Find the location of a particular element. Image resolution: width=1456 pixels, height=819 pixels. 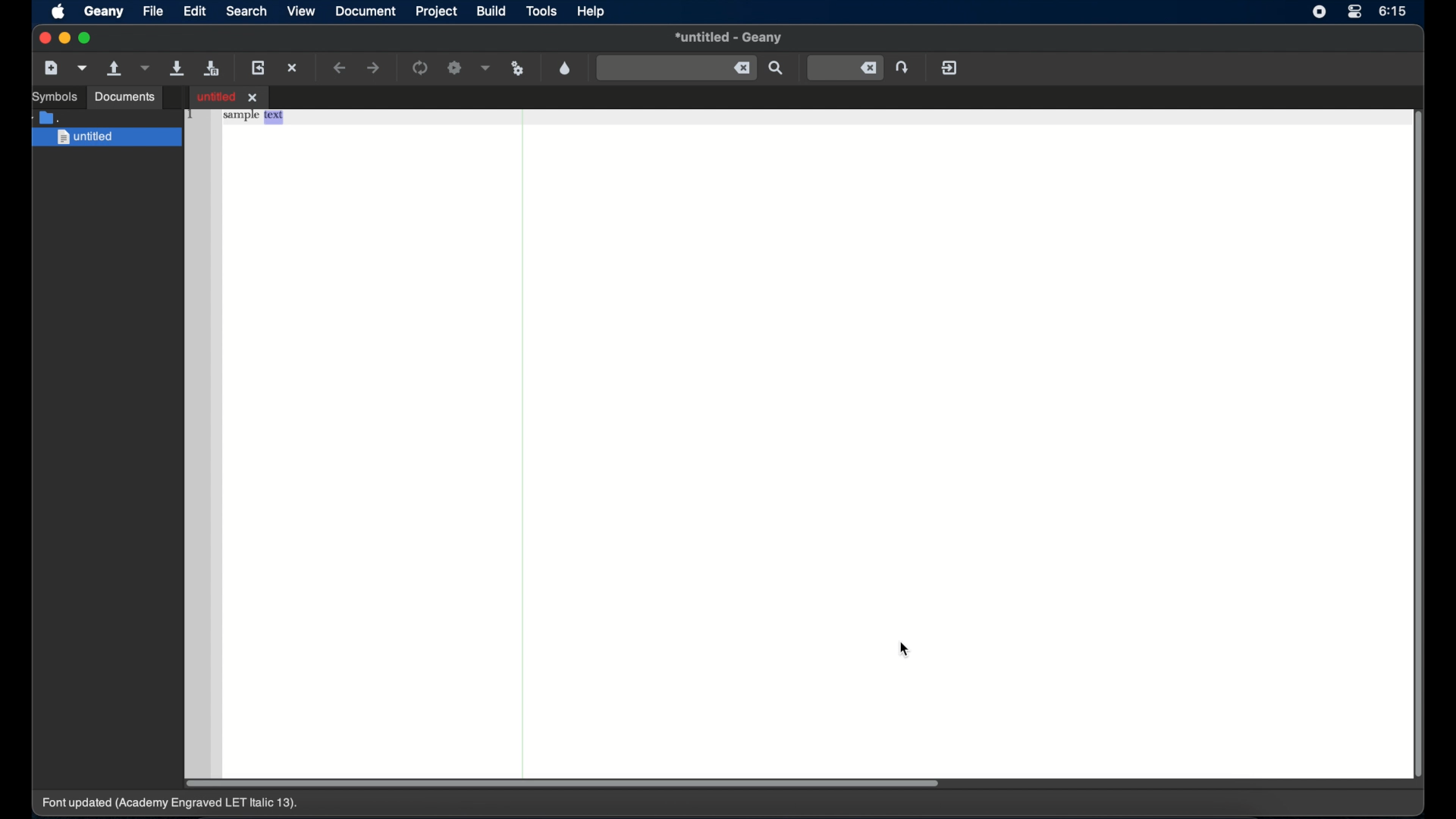

choose more build actions is located at coordinates (486, 67).